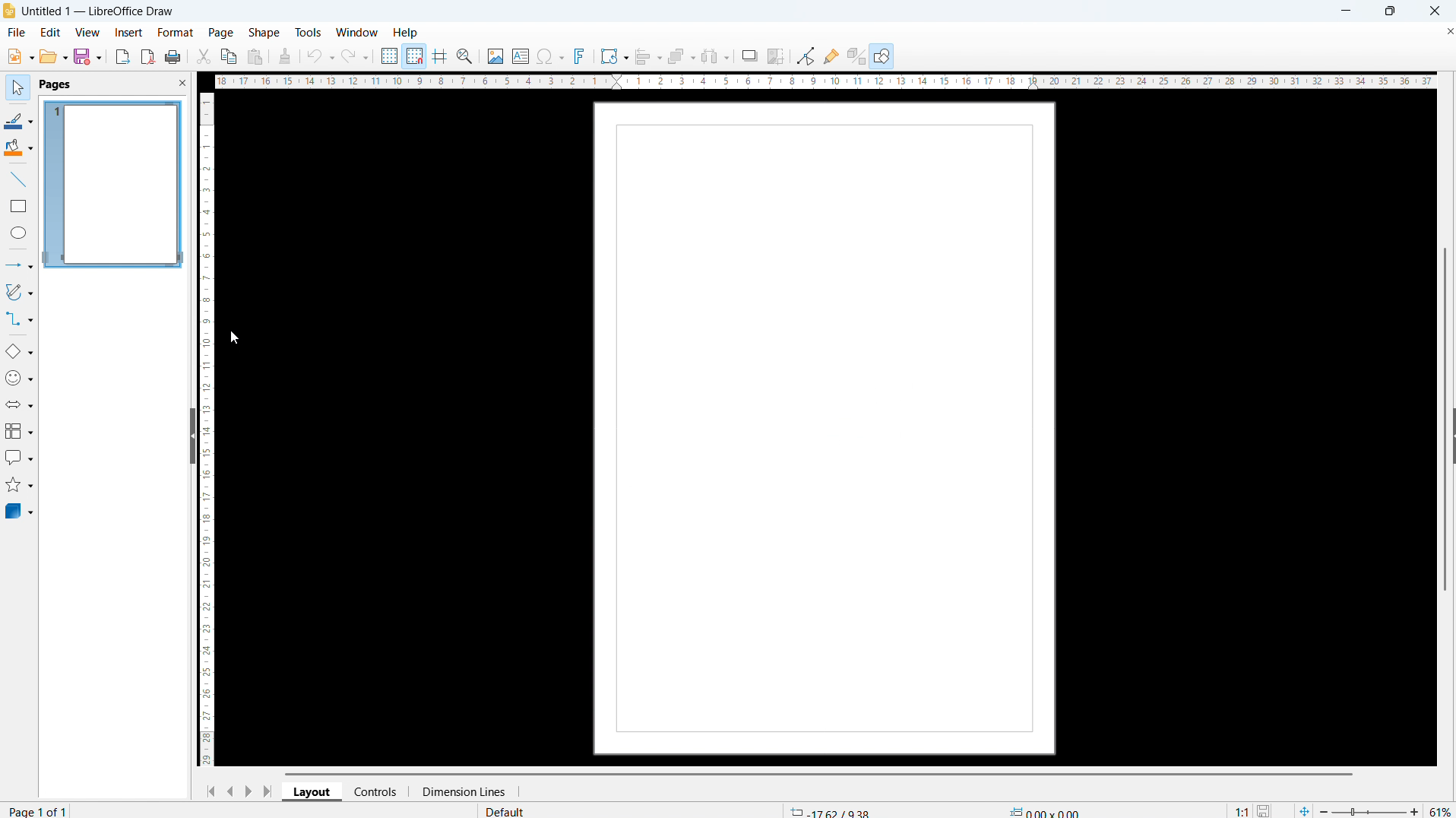 The width and height of the screenshot is (1456, 818). What do you see at coordinates (176, 33) in the screenshot?
I see `format` at bounding box center [176, 33].